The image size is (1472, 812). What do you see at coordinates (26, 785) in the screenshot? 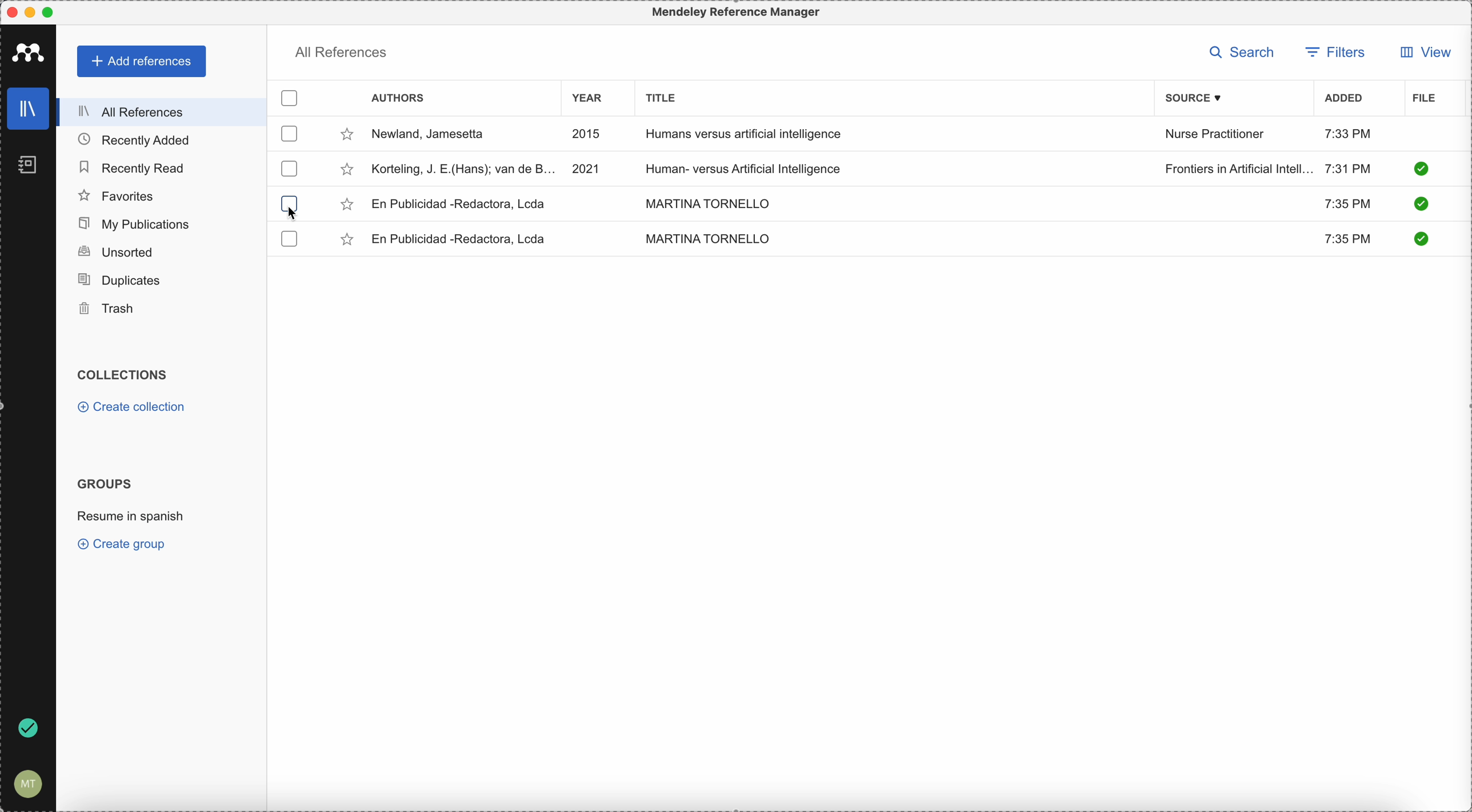
I see `account settings` at bounding box center [26, 785].